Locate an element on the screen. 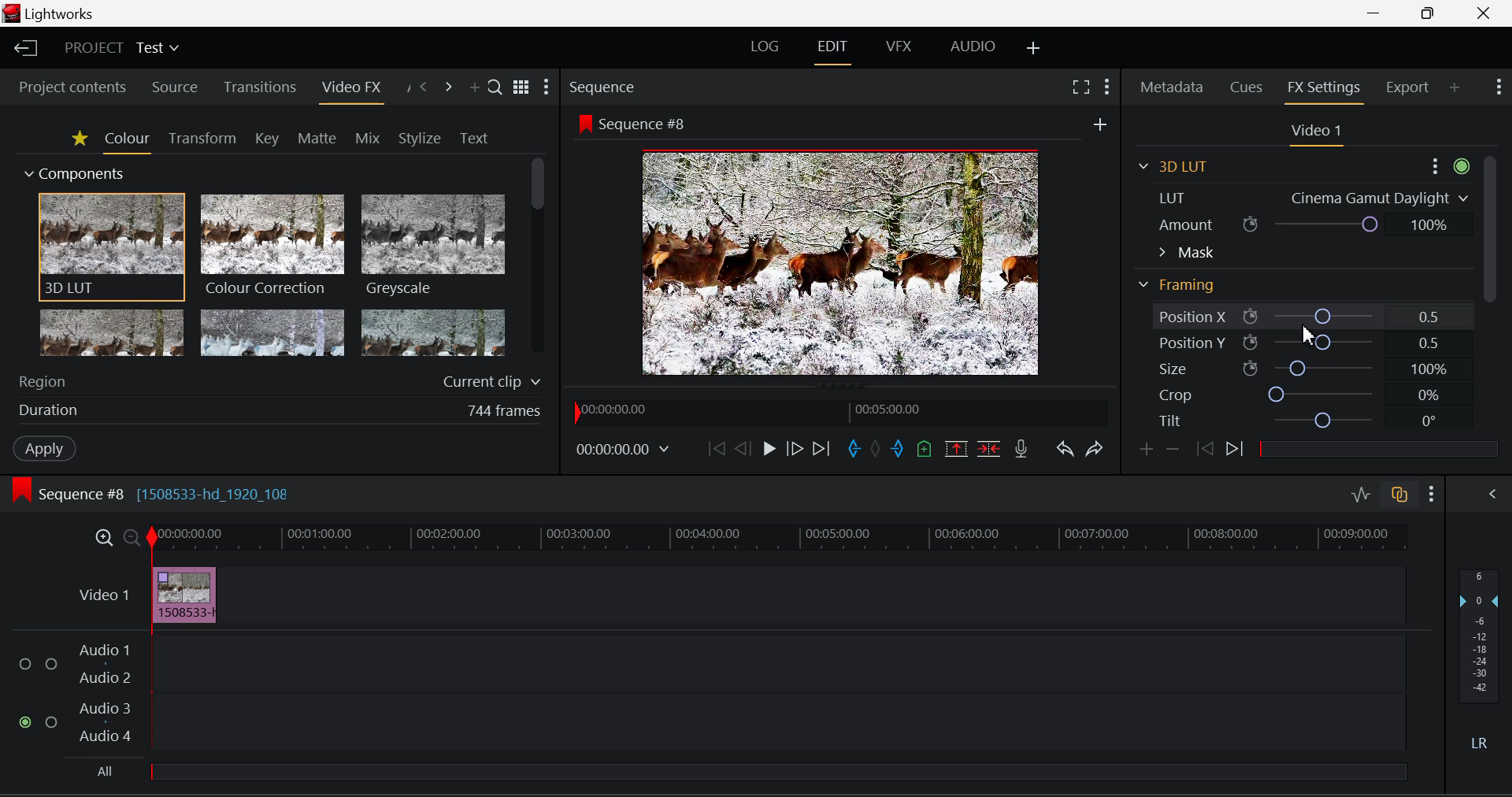  Go Forward is located at coordinates (795, 451).